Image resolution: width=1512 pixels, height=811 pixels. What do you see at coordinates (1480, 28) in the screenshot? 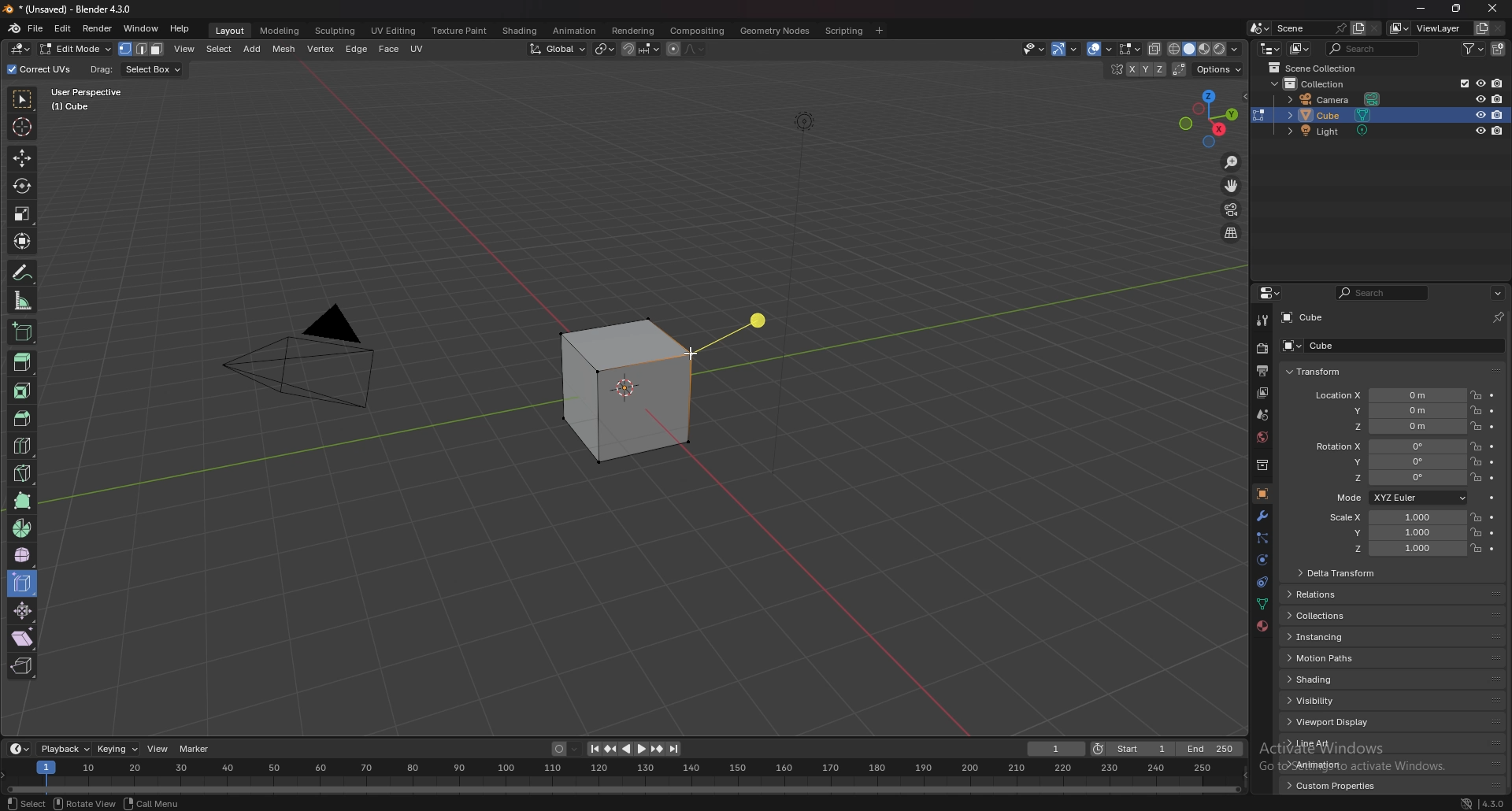
I see `add view layer` at bounding box center [1480, 28].